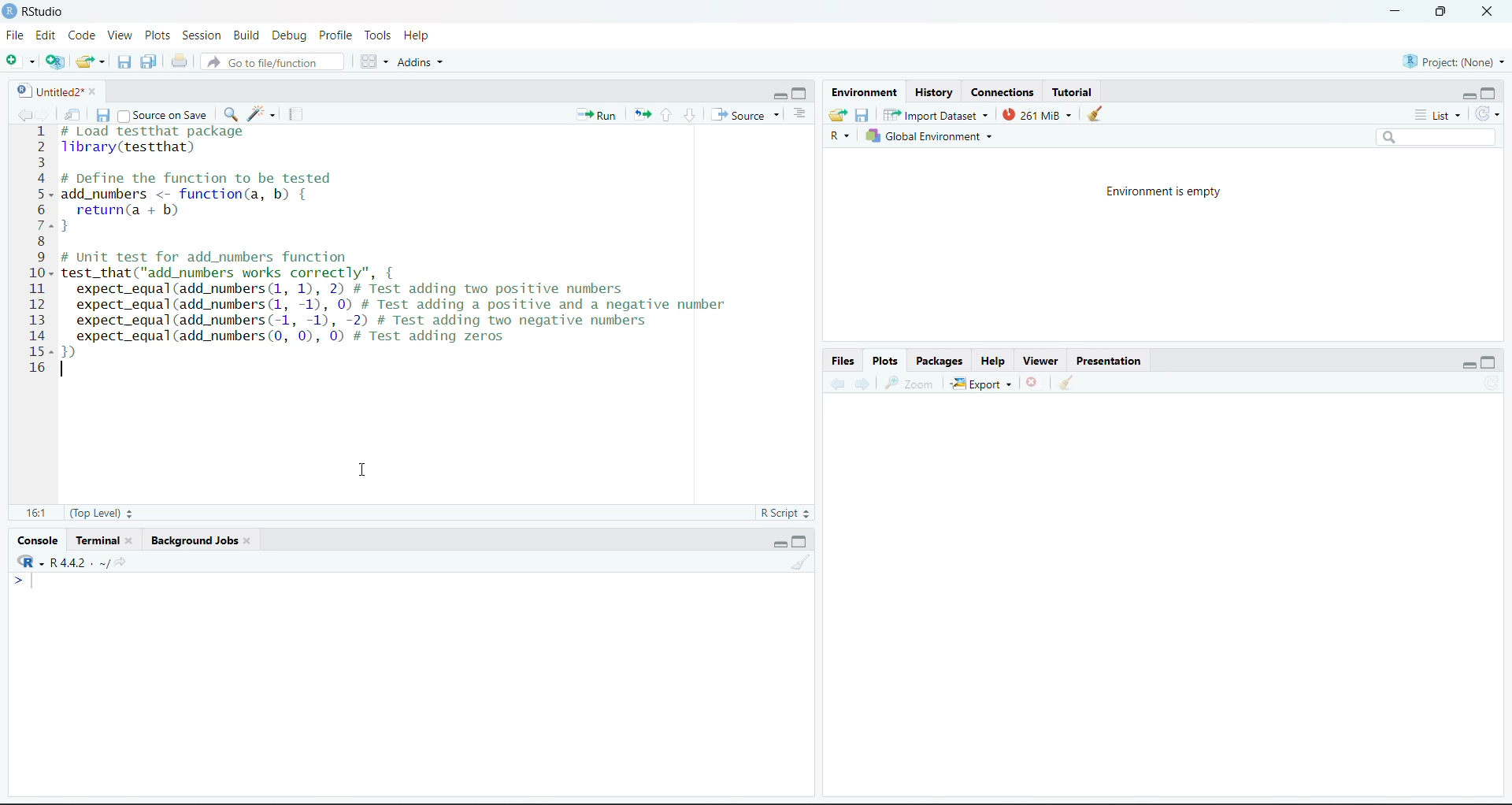  What do you see at coordinates (46, 114) in the screenshot?
I see `go forward` at bounding box center [46, 114].